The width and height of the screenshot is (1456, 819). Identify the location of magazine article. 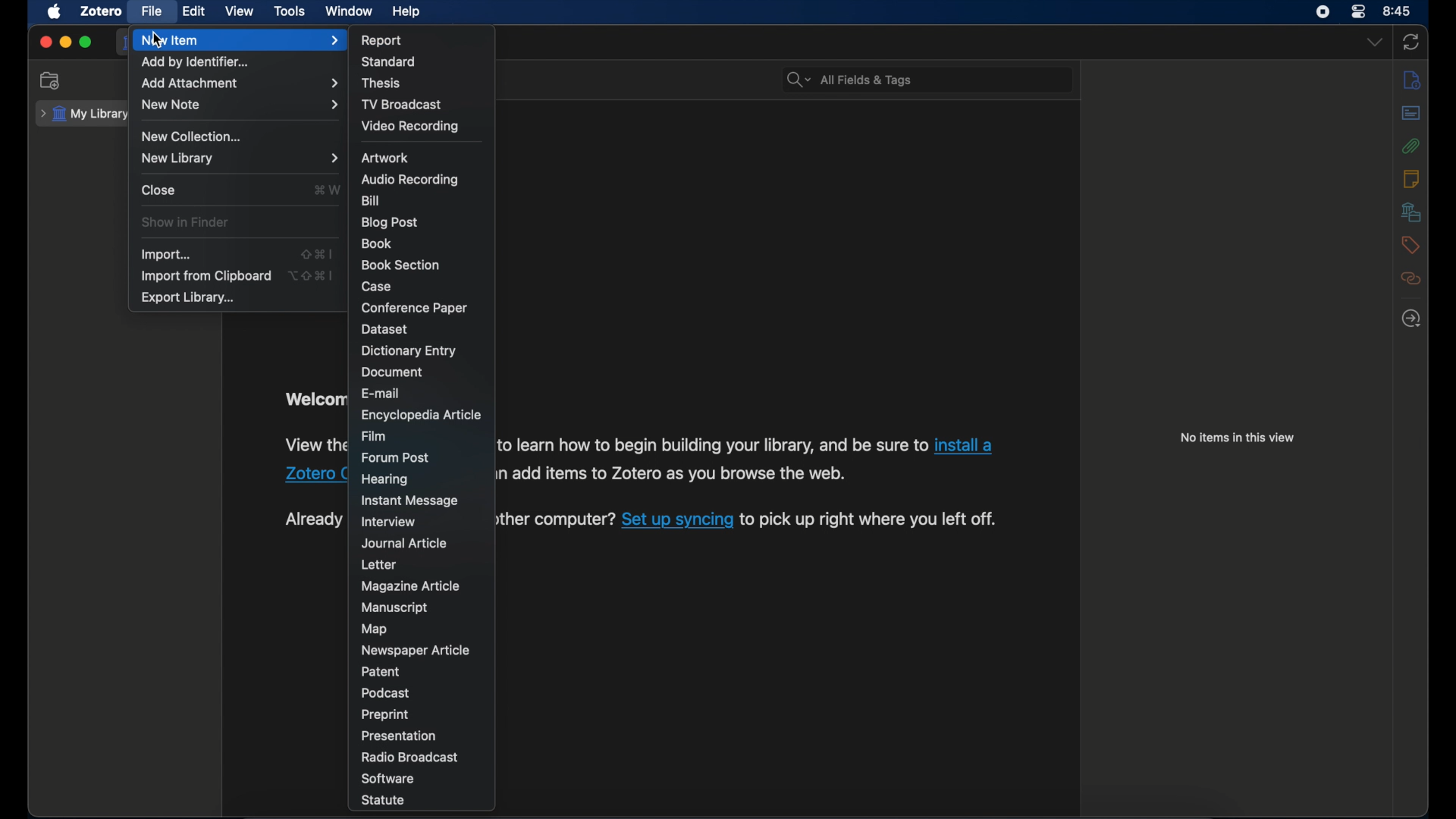
(409, 585).